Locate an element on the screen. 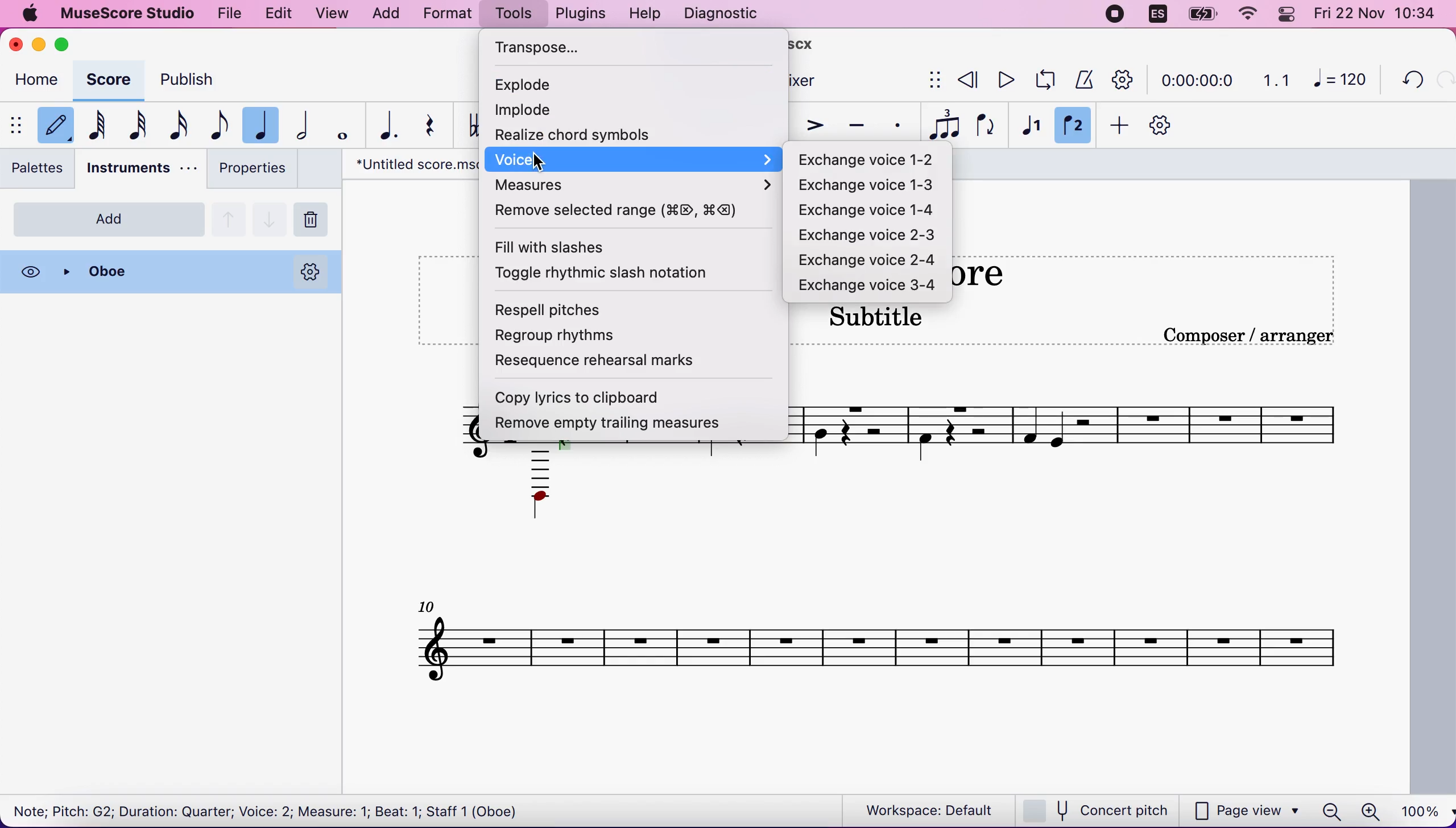 Image resolution: width=1456 pixels, height=828 pixels. resequence rehearsal marks is located at coordinates (606, 363).